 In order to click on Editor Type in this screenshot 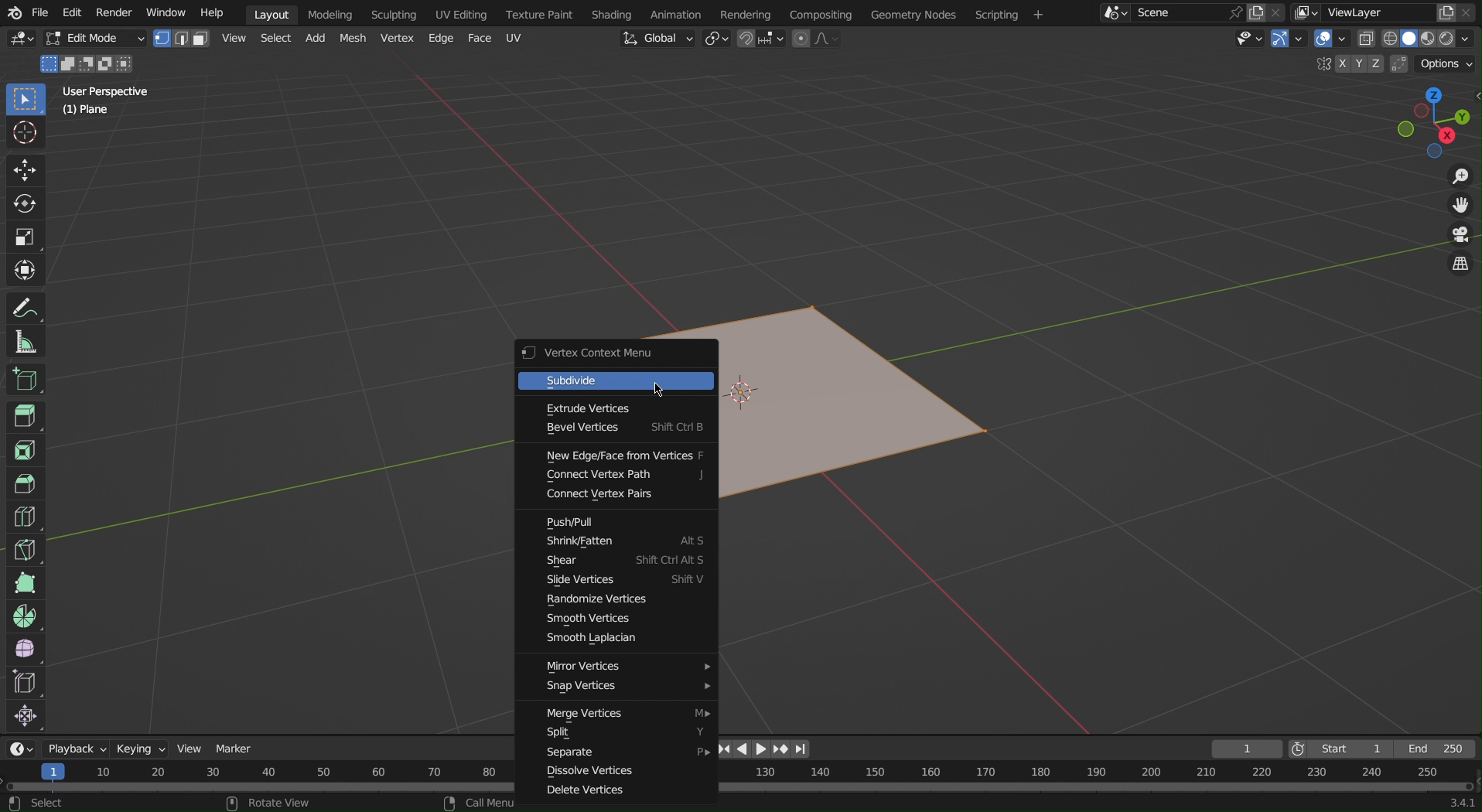, I will do `click(22, 749)`.